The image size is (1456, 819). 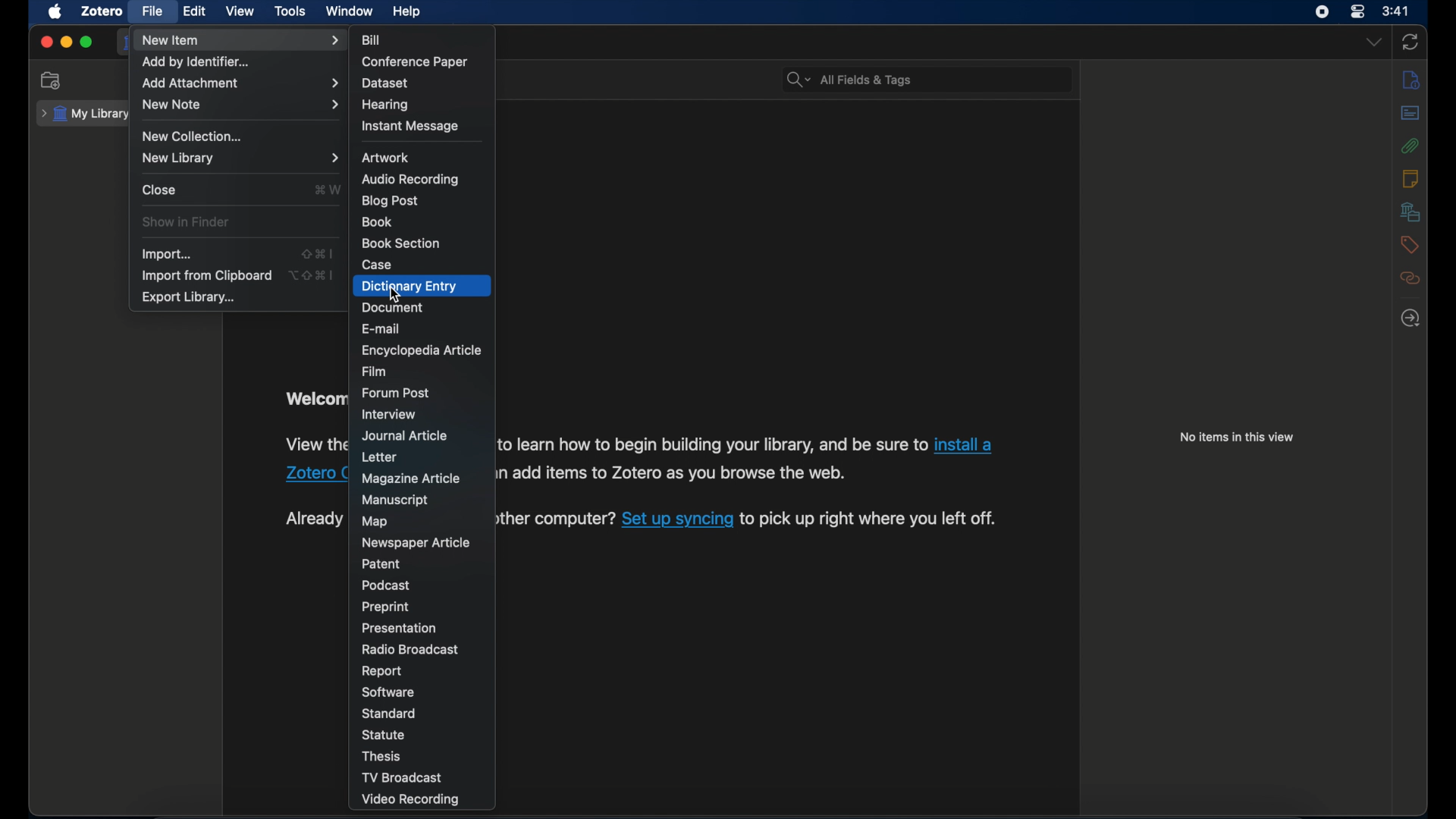 I want to click on preprint, so click(x=388, y=607).